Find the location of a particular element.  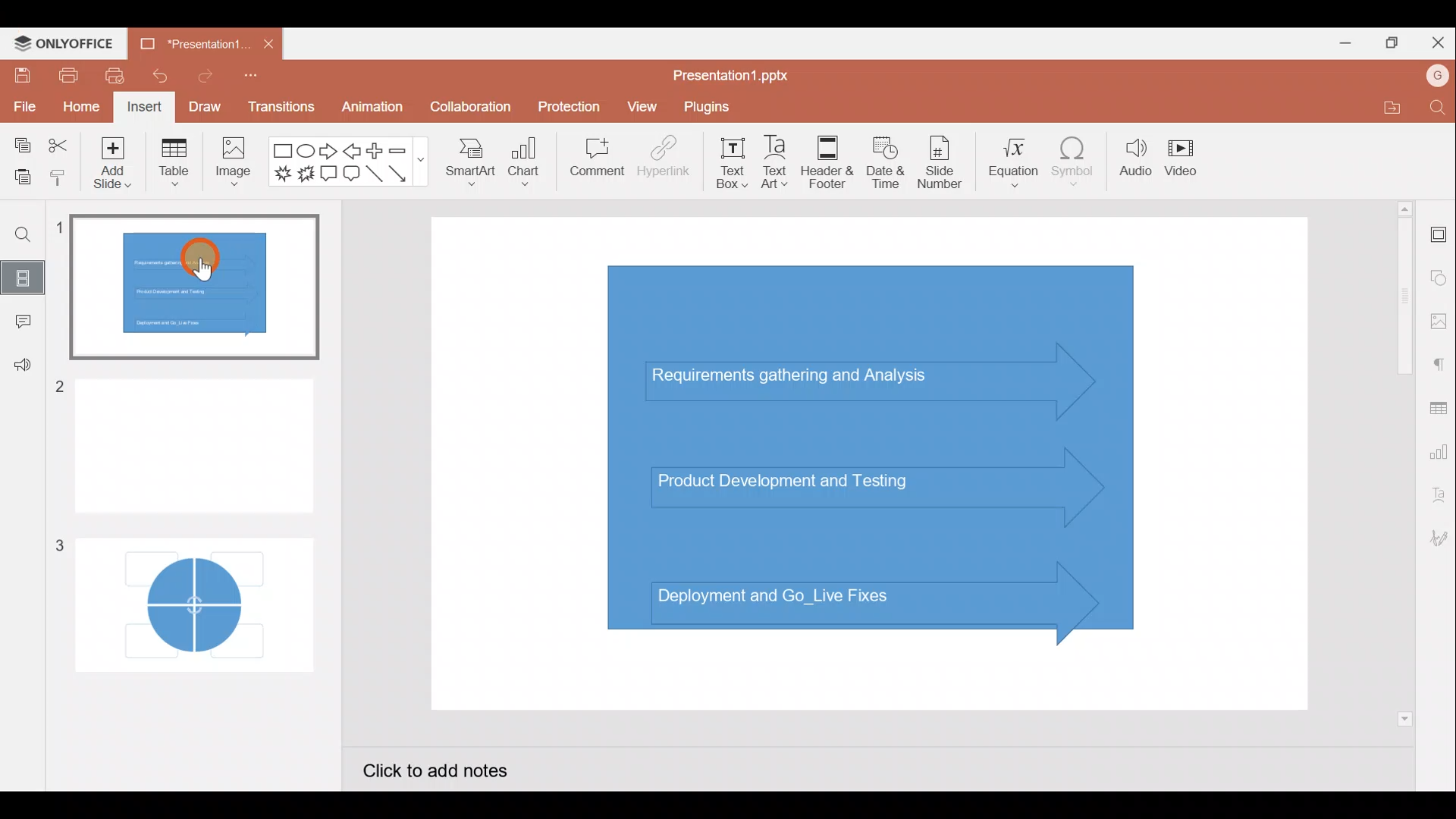

ONLYOFFICE Menu is located at coordinates (72, 44).